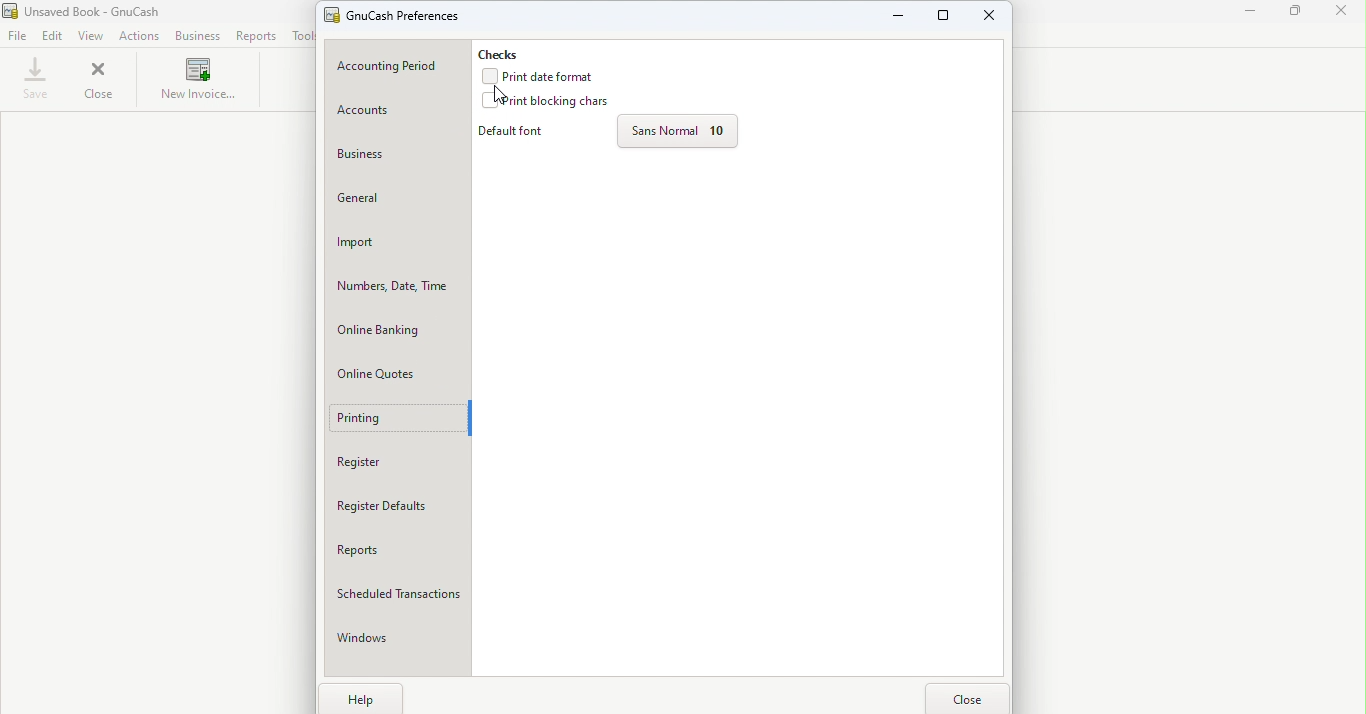 Image resolution: width=1366 pixels, height=714 pixels. Describe the element at coordinates (400, 555) in the screenshot. I see `Reports` at that location.